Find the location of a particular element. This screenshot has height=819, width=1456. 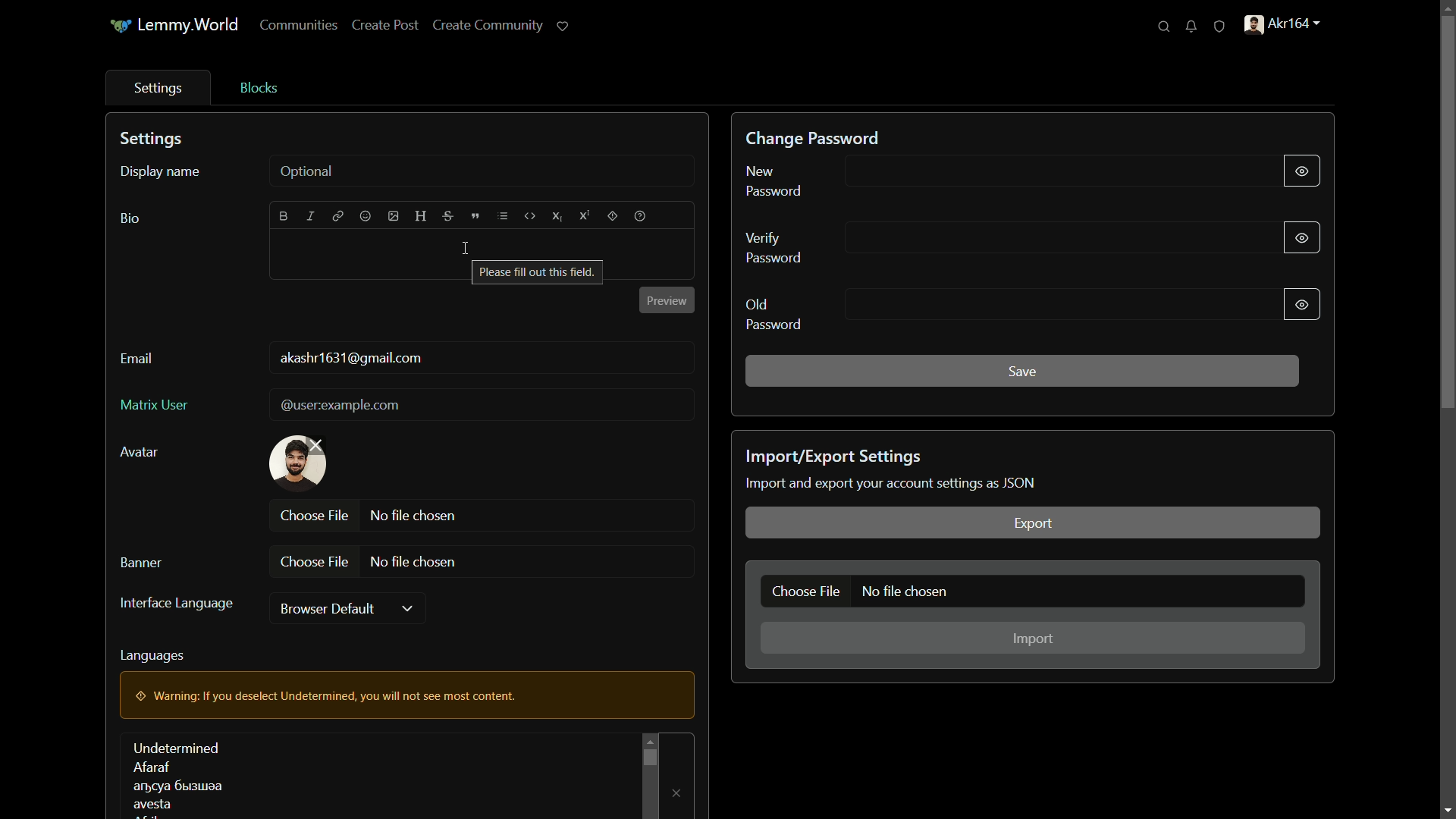

quote is located at coordinates (475, 217).